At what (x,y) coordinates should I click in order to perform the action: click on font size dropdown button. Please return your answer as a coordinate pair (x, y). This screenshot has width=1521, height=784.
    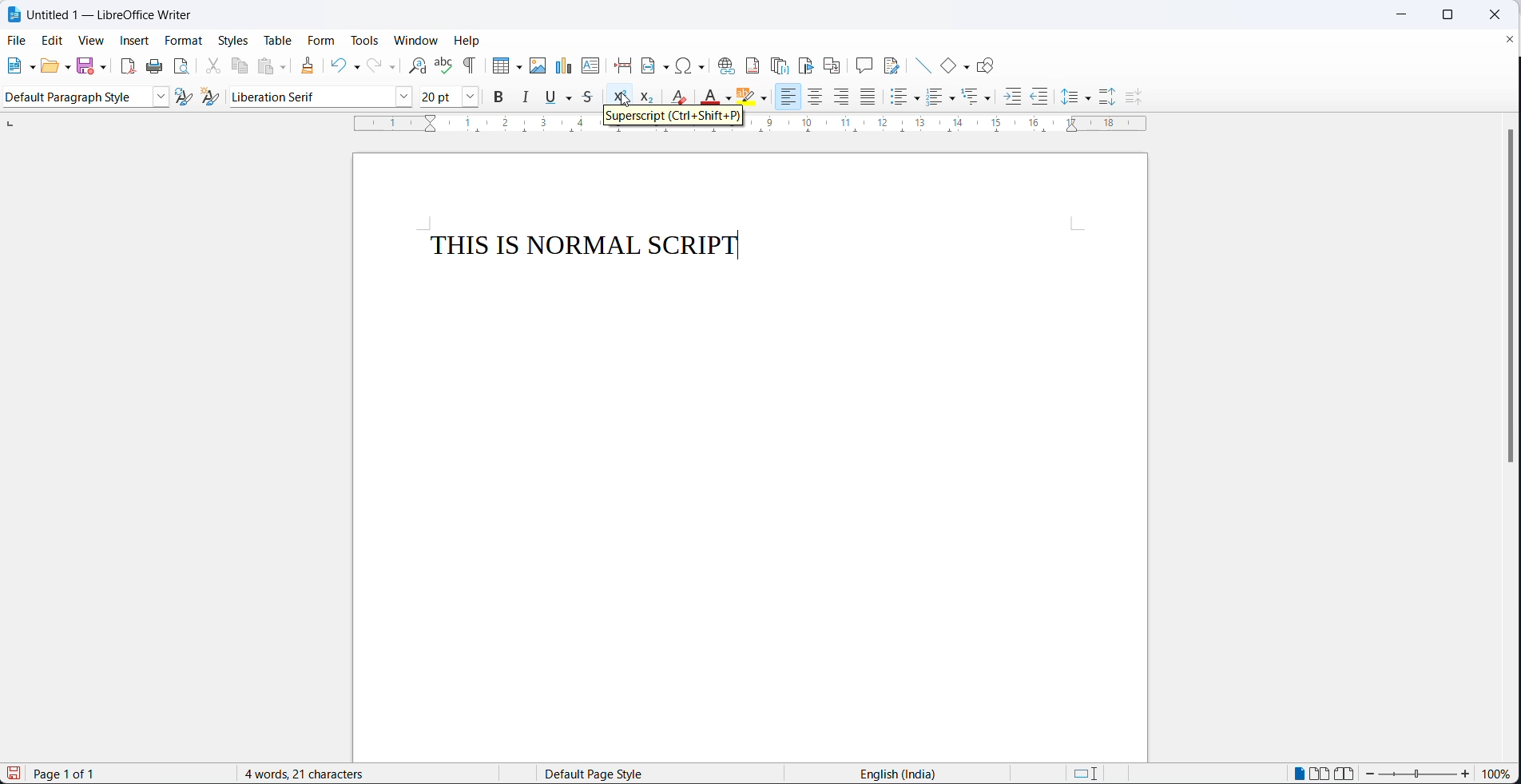
    Looking at the image, I should click on (471, 97).